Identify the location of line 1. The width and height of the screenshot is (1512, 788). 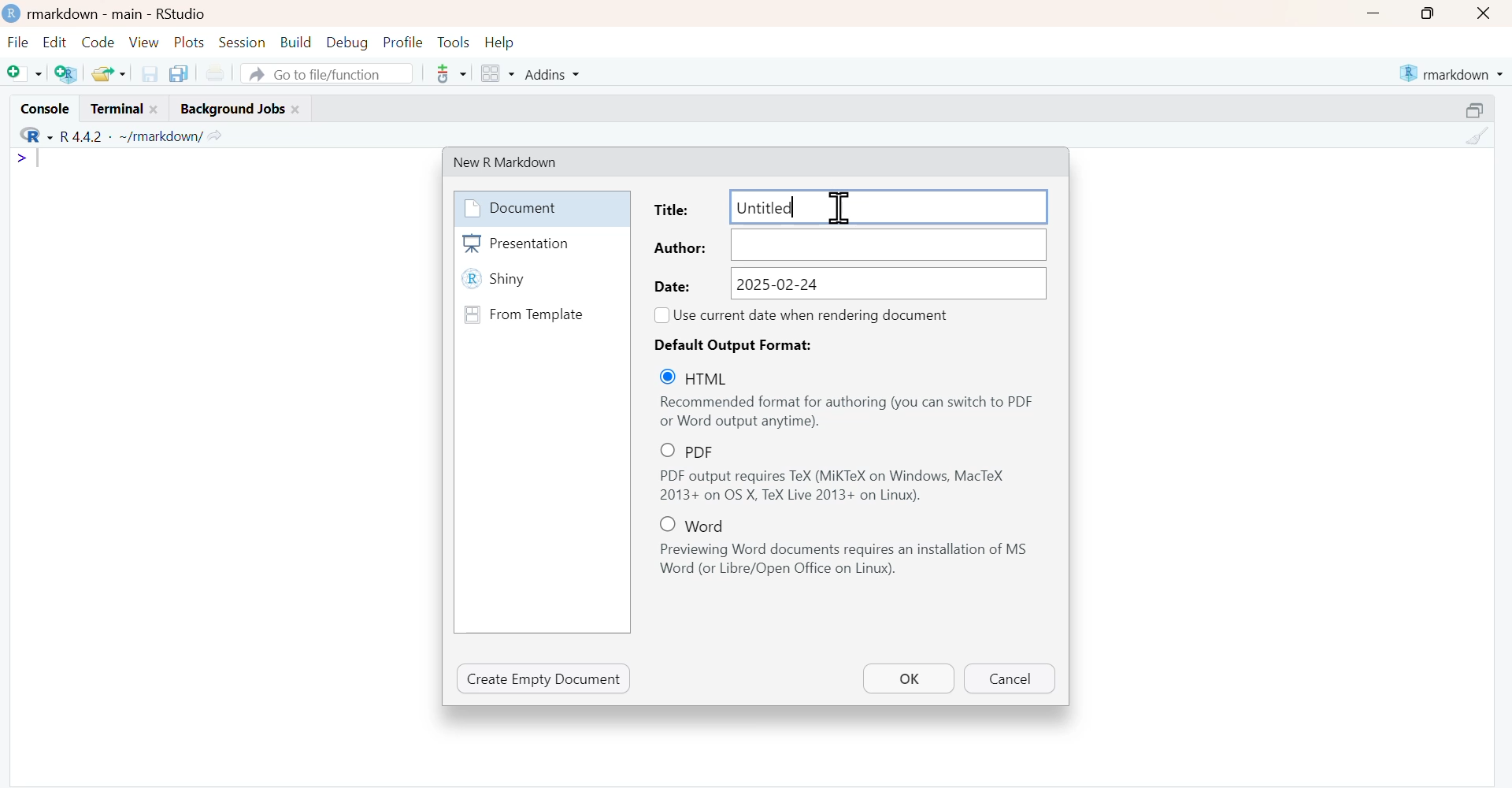
(31, 158).